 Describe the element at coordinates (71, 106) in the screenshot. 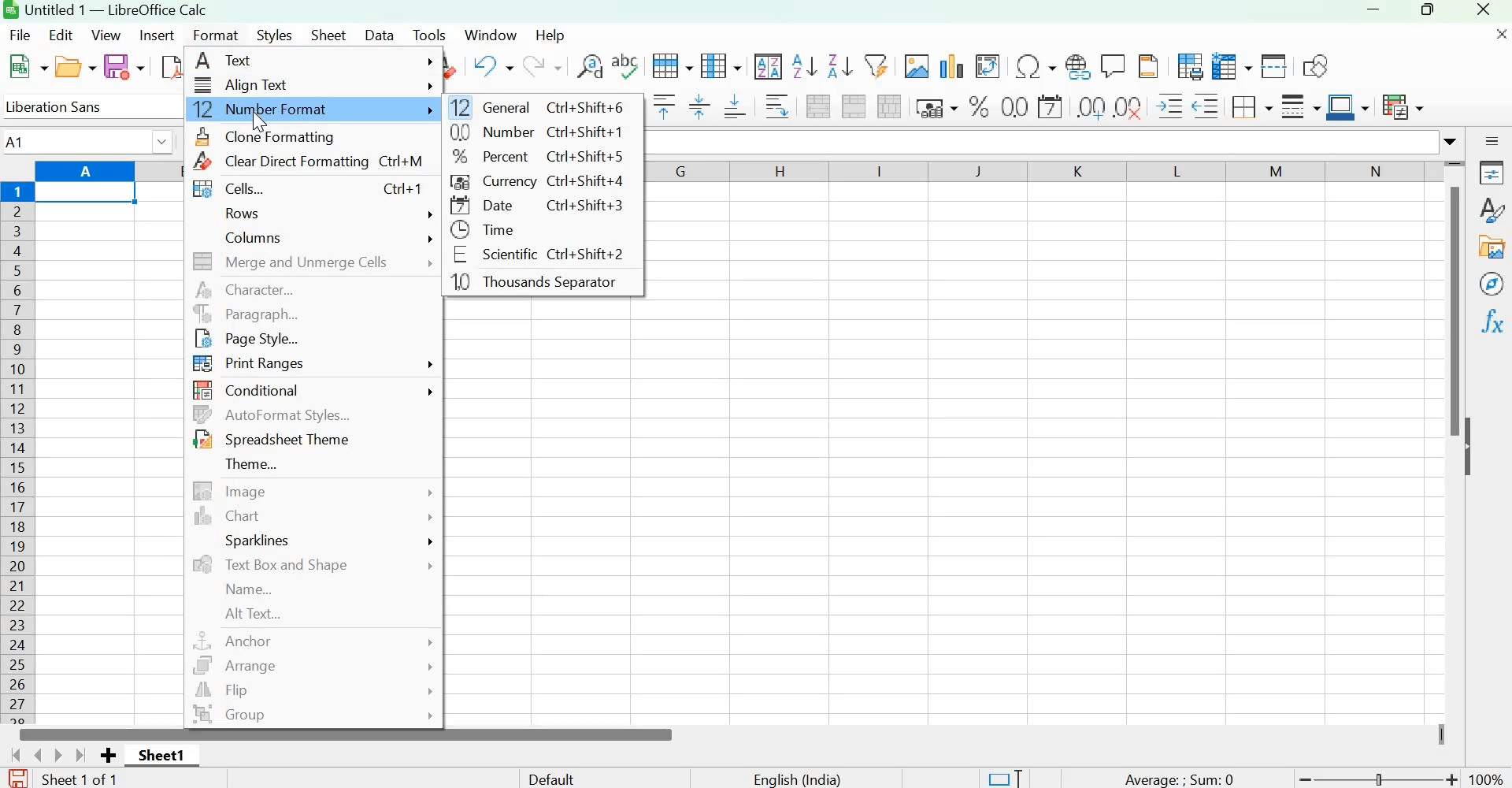

I see `Liberation Sans` at that location.